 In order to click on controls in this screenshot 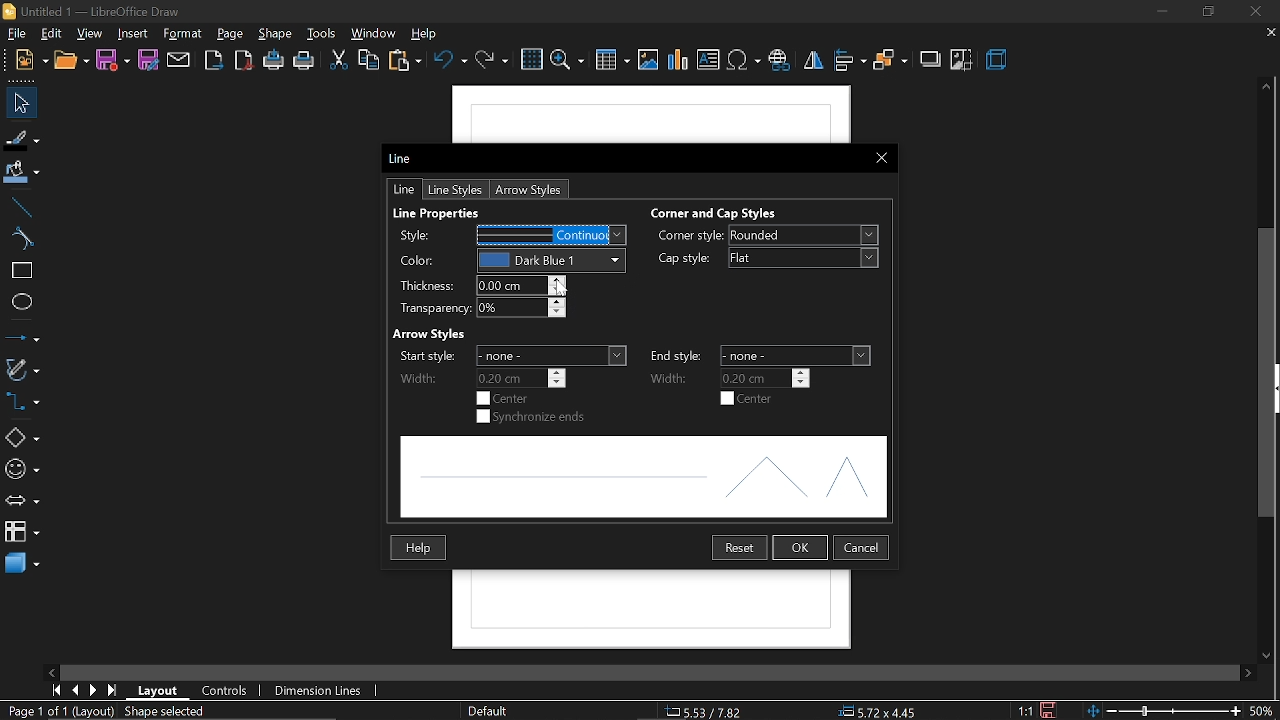, I will do `click(230, 692)`.